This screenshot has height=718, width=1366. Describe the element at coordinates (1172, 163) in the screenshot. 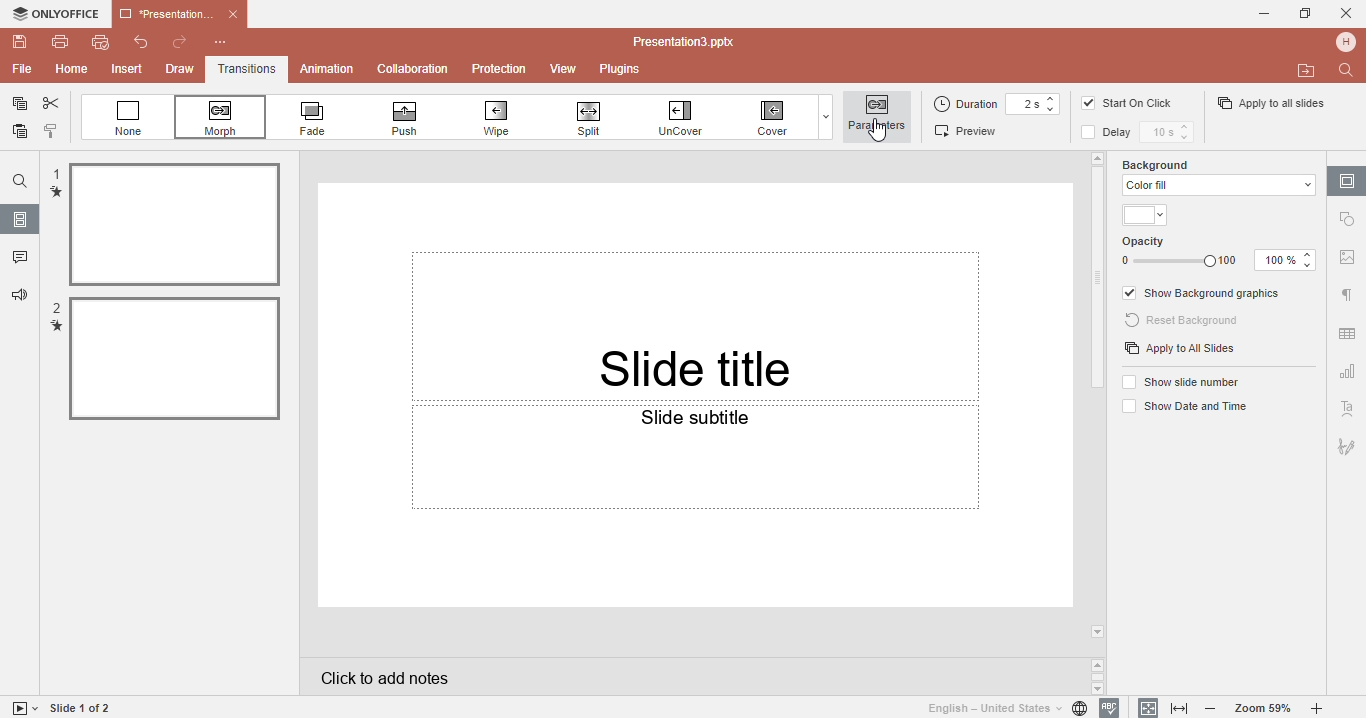

I see `Background` at that location.